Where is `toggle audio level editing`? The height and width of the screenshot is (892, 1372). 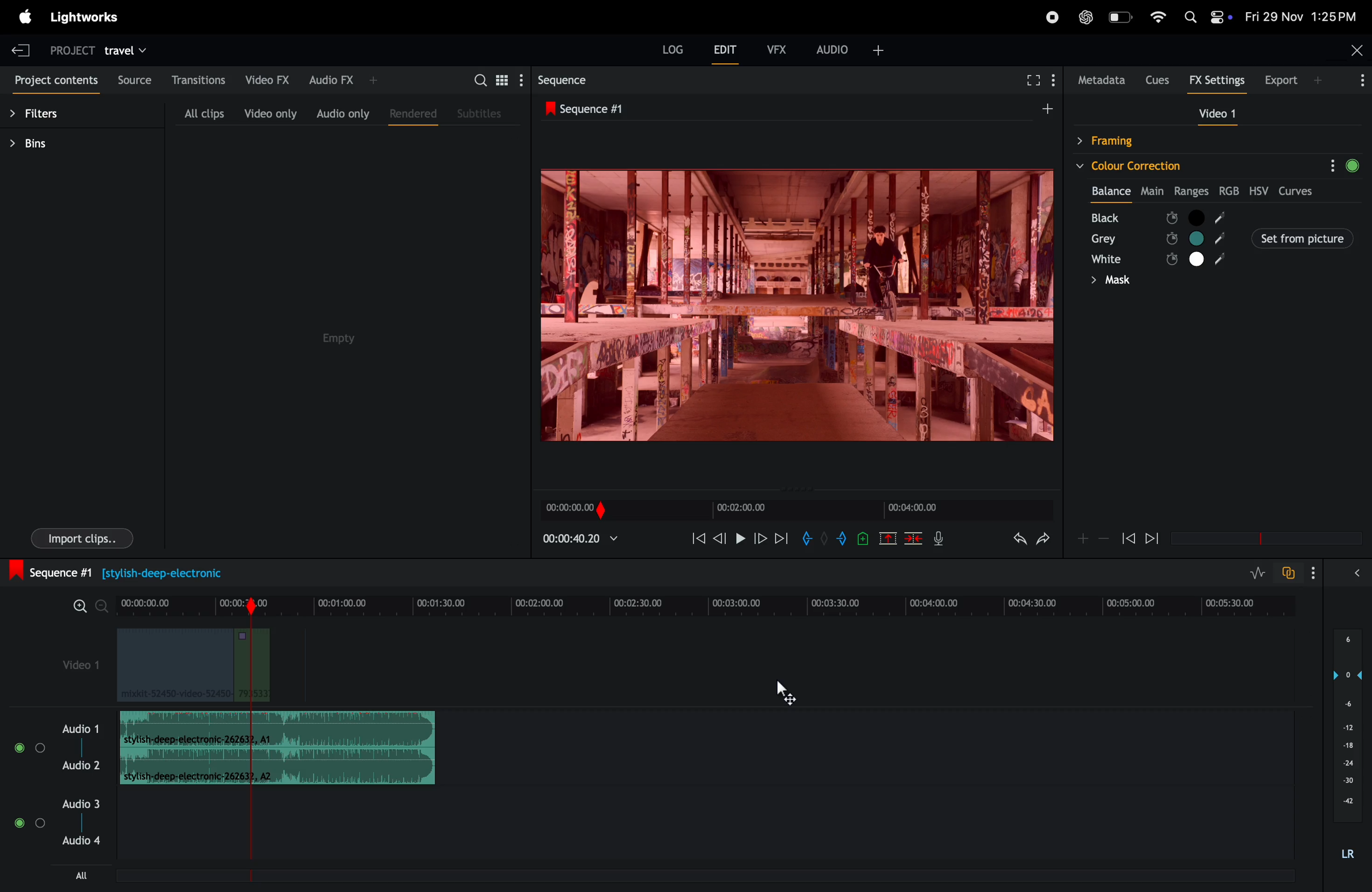
toggle audio level editing is located at coordinates (1259, 572).